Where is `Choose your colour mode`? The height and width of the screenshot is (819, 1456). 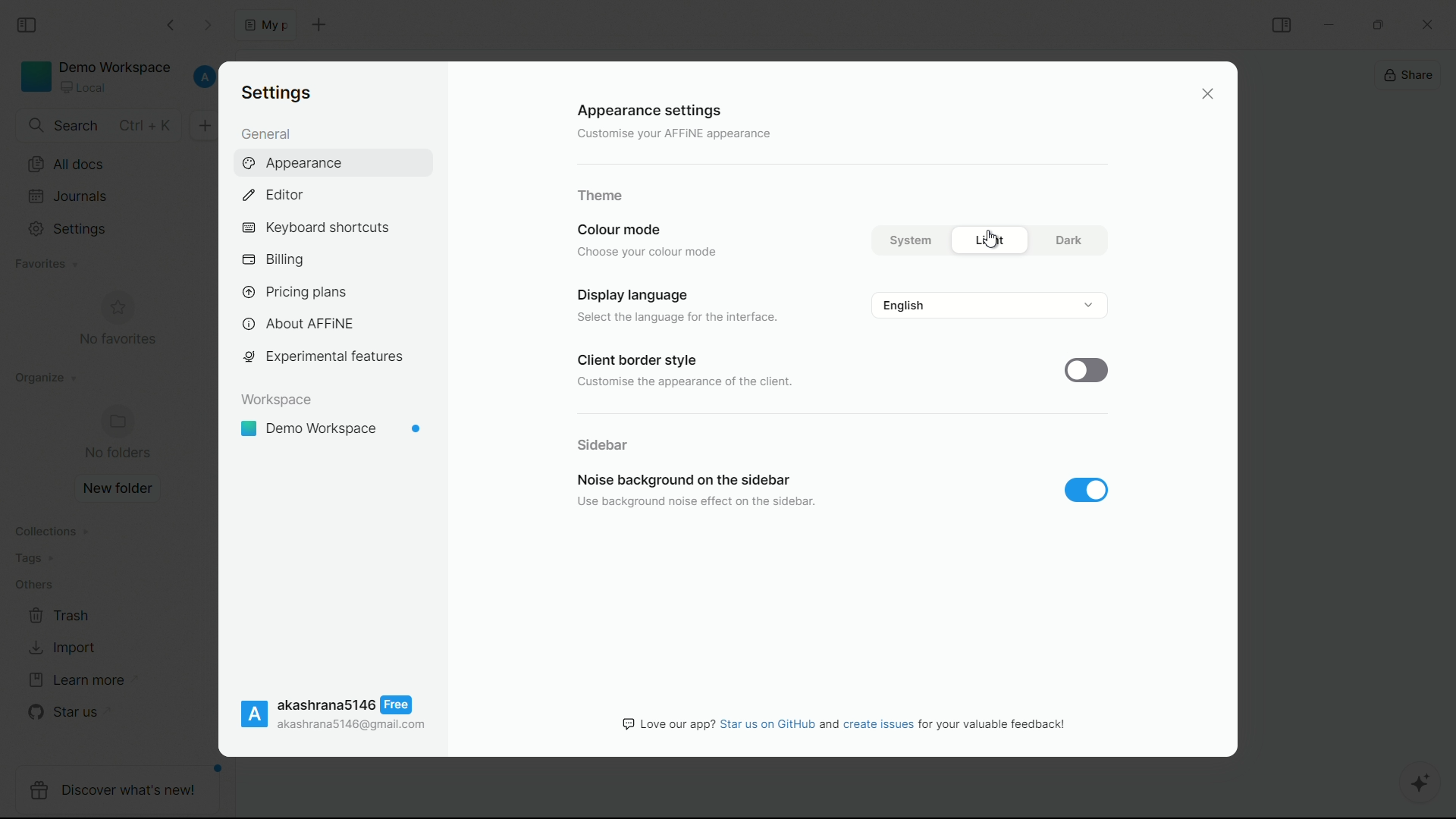
Choose your colour mode is located at coordinates (651, 251).